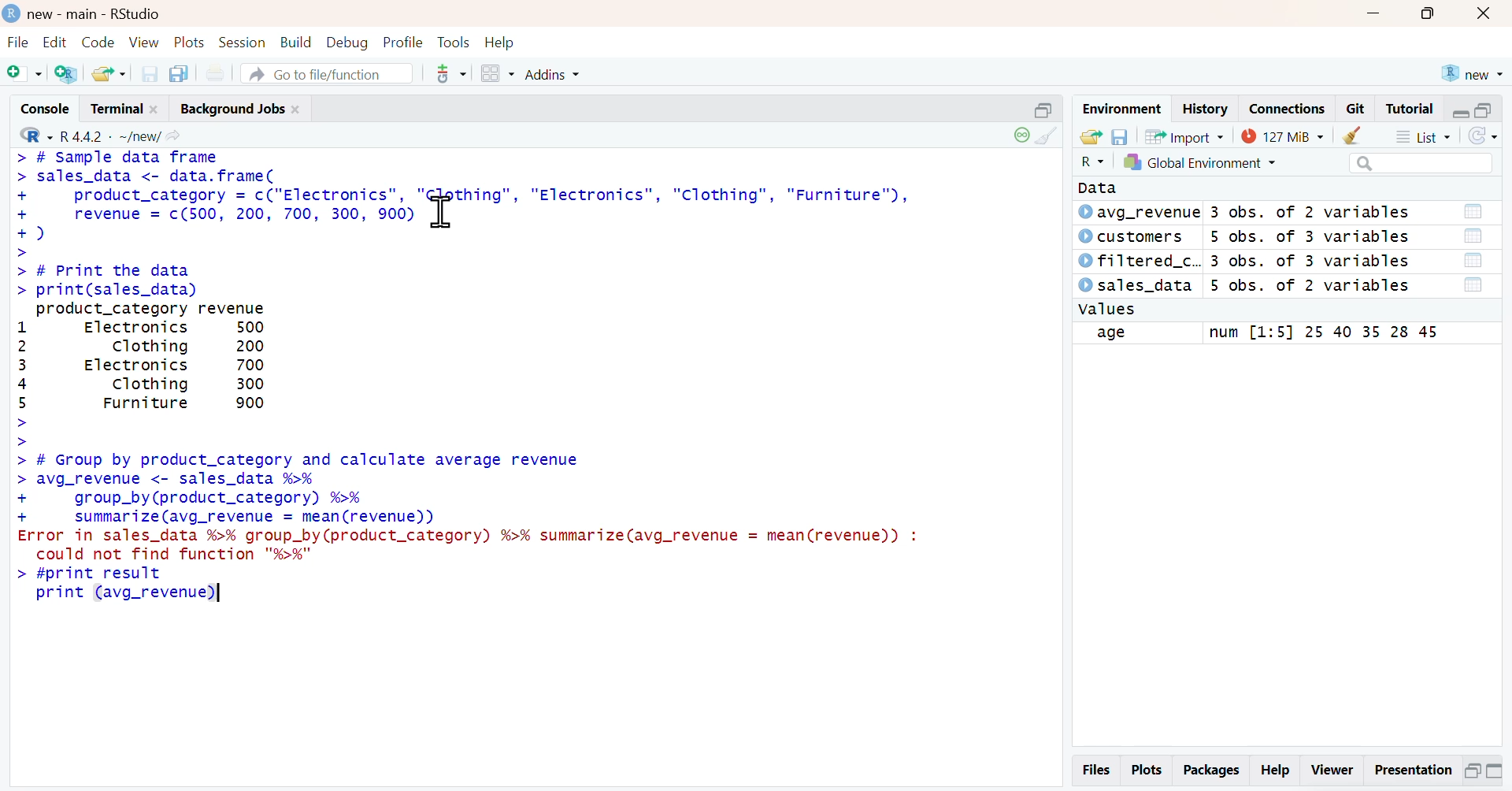 The image size is (1512, 791). What do you see at coordinates (33, 136) in the screenshot?
I see `Select language - R Language` at bounding box center [33, 136].